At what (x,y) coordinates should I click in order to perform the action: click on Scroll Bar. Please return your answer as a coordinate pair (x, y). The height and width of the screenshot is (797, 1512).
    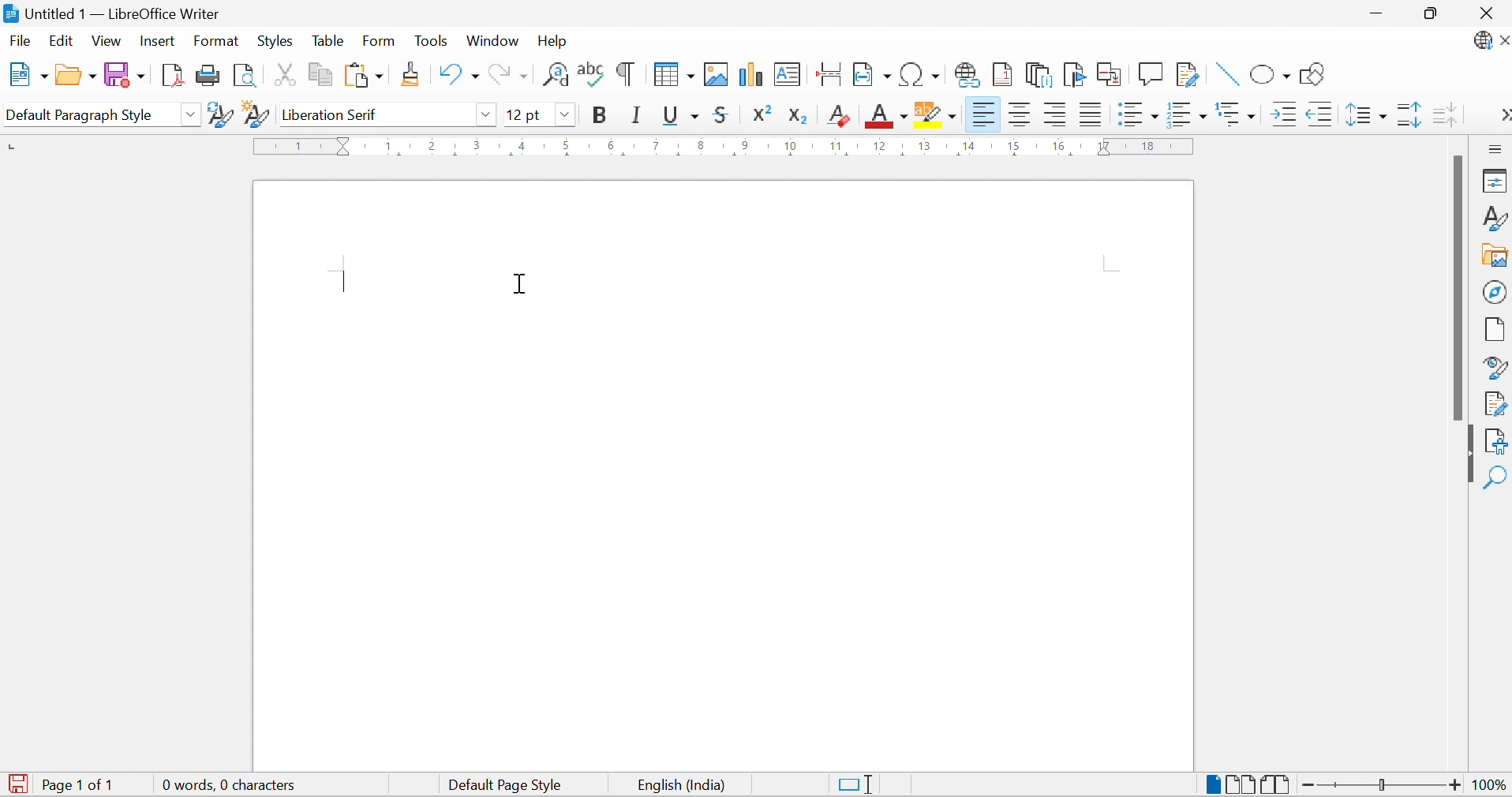
    Looking at the image, I should click on (1458, 287).